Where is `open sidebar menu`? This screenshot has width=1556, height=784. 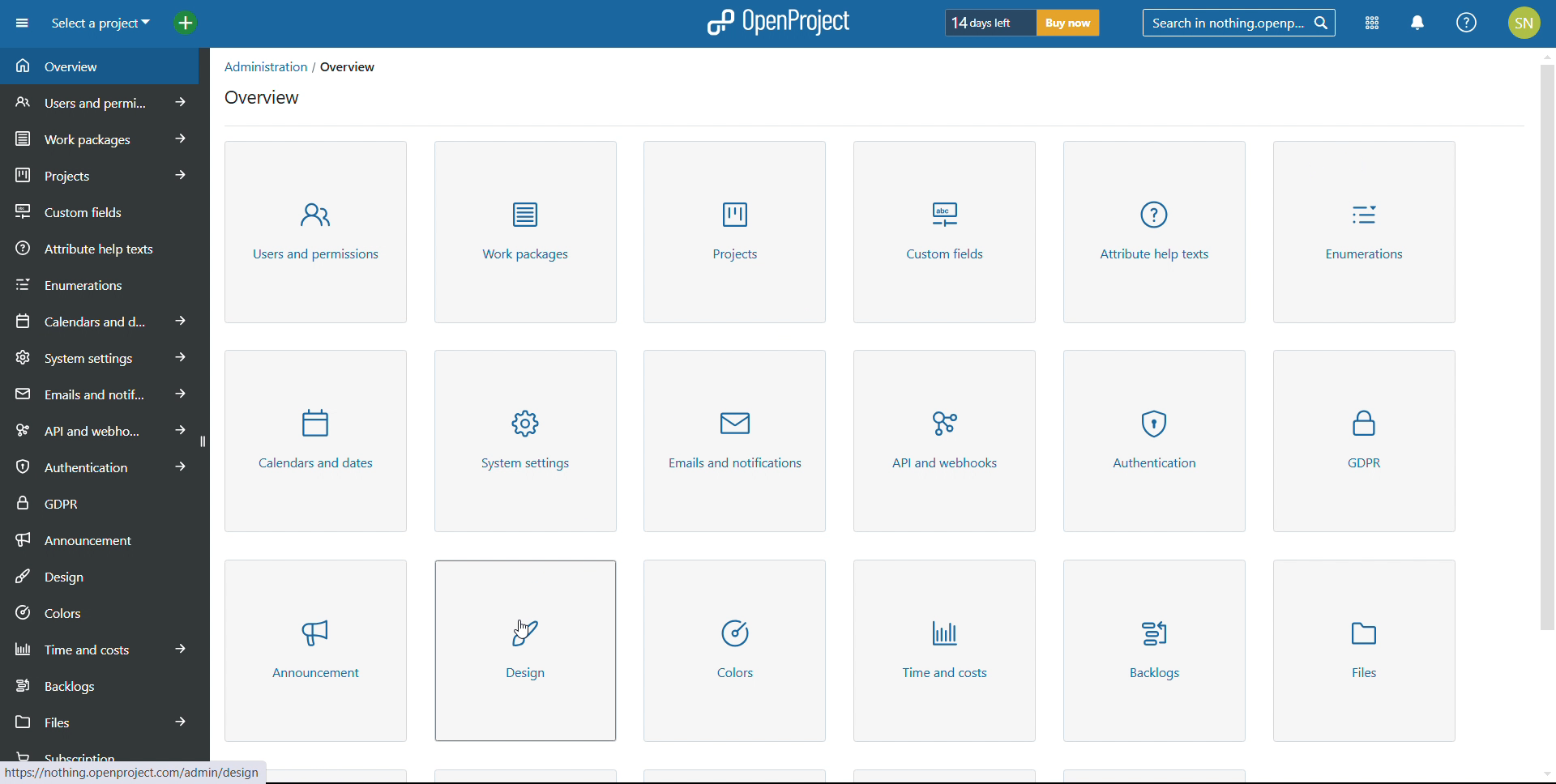 open sidebar menu is located at coordinates (22, 23).